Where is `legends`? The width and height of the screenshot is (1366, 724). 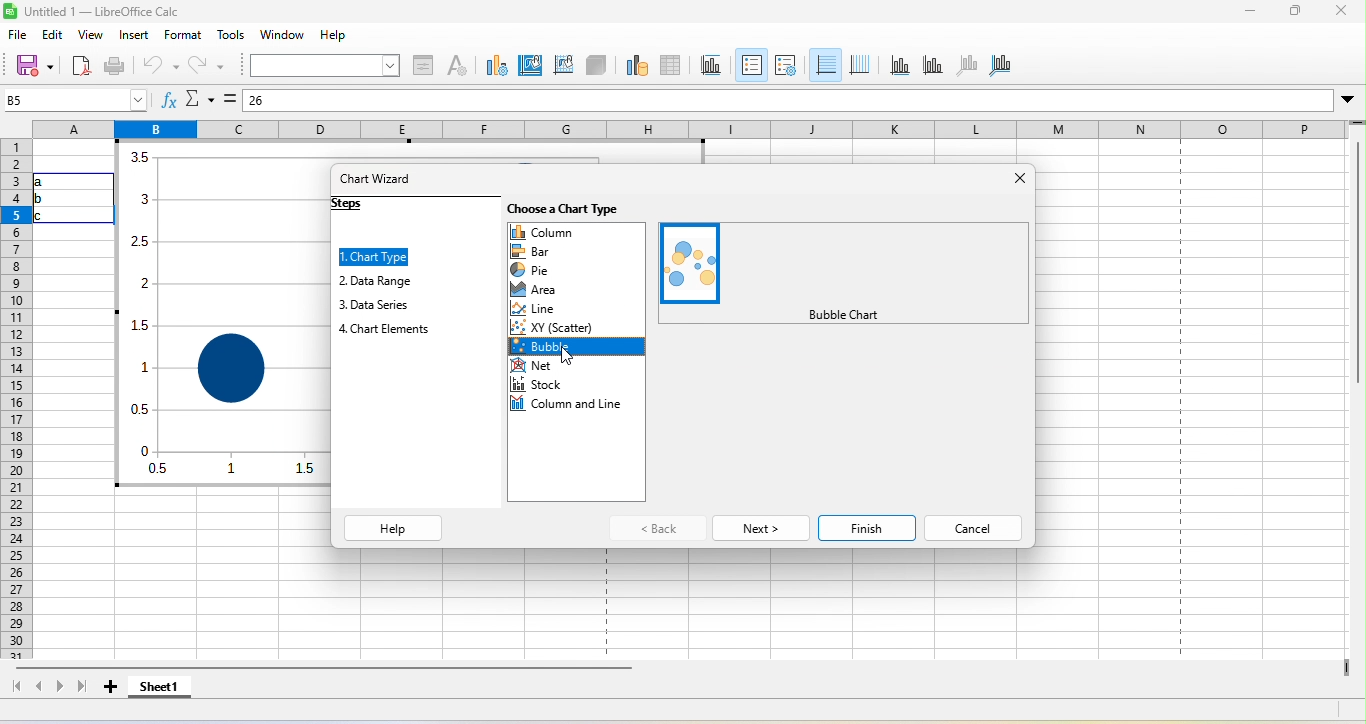 legends is located at coordinates (786, 67).